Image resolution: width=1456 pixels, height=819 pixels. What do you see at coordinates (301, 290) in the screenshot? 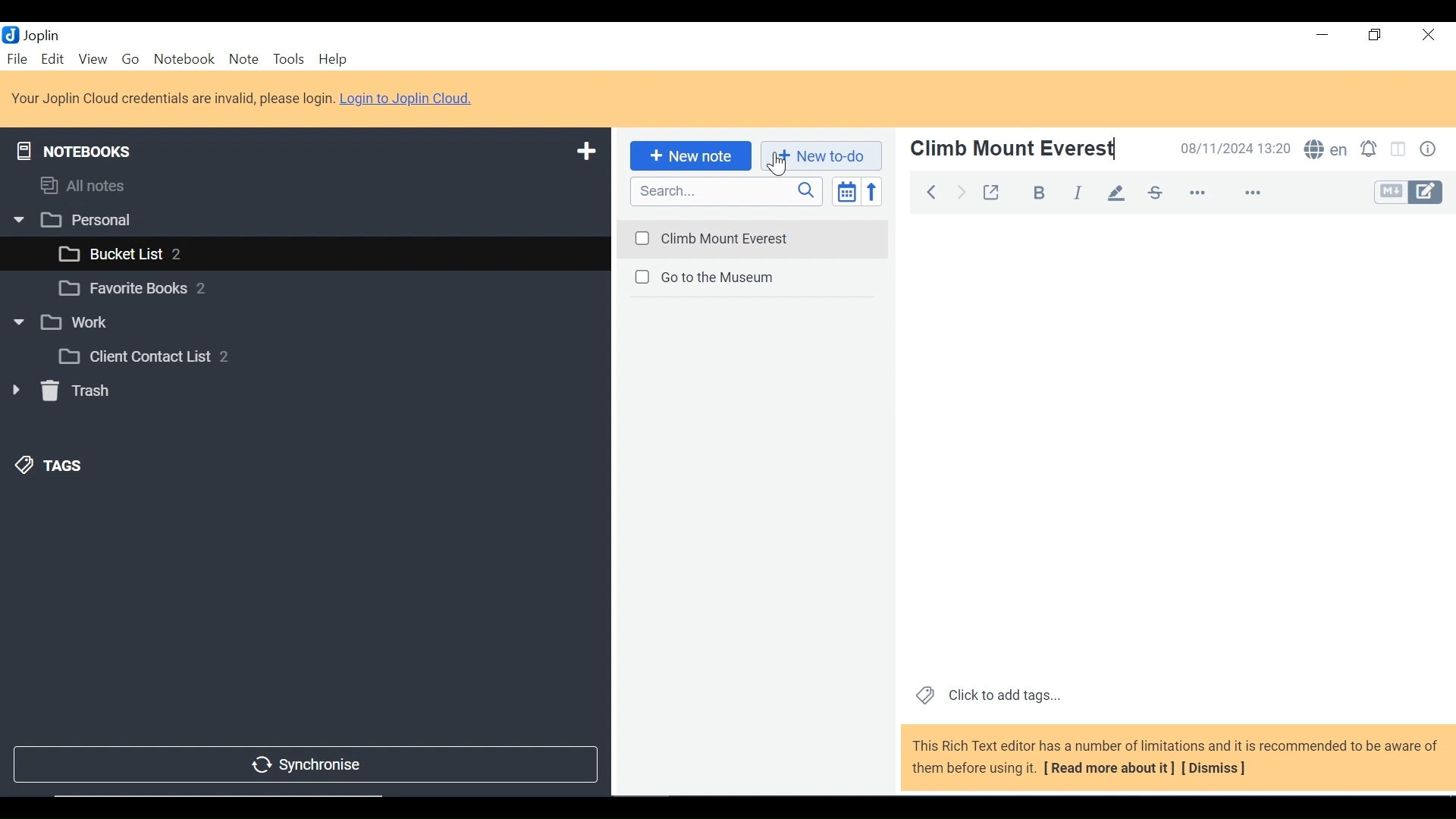
I see `Notebook` at bounding box center [301, 290].